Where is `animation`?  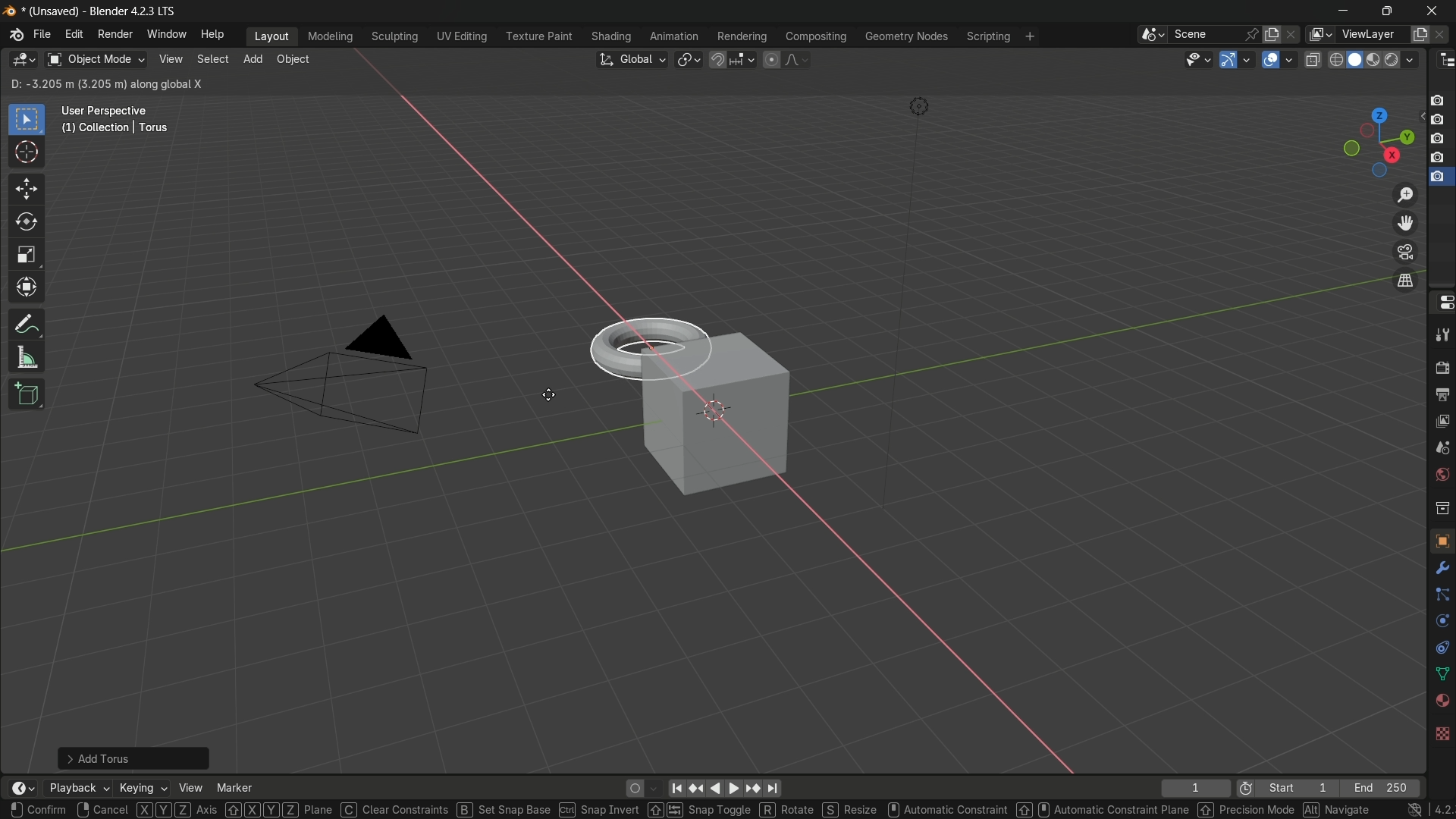
animation is located at coordinates (674, 36).